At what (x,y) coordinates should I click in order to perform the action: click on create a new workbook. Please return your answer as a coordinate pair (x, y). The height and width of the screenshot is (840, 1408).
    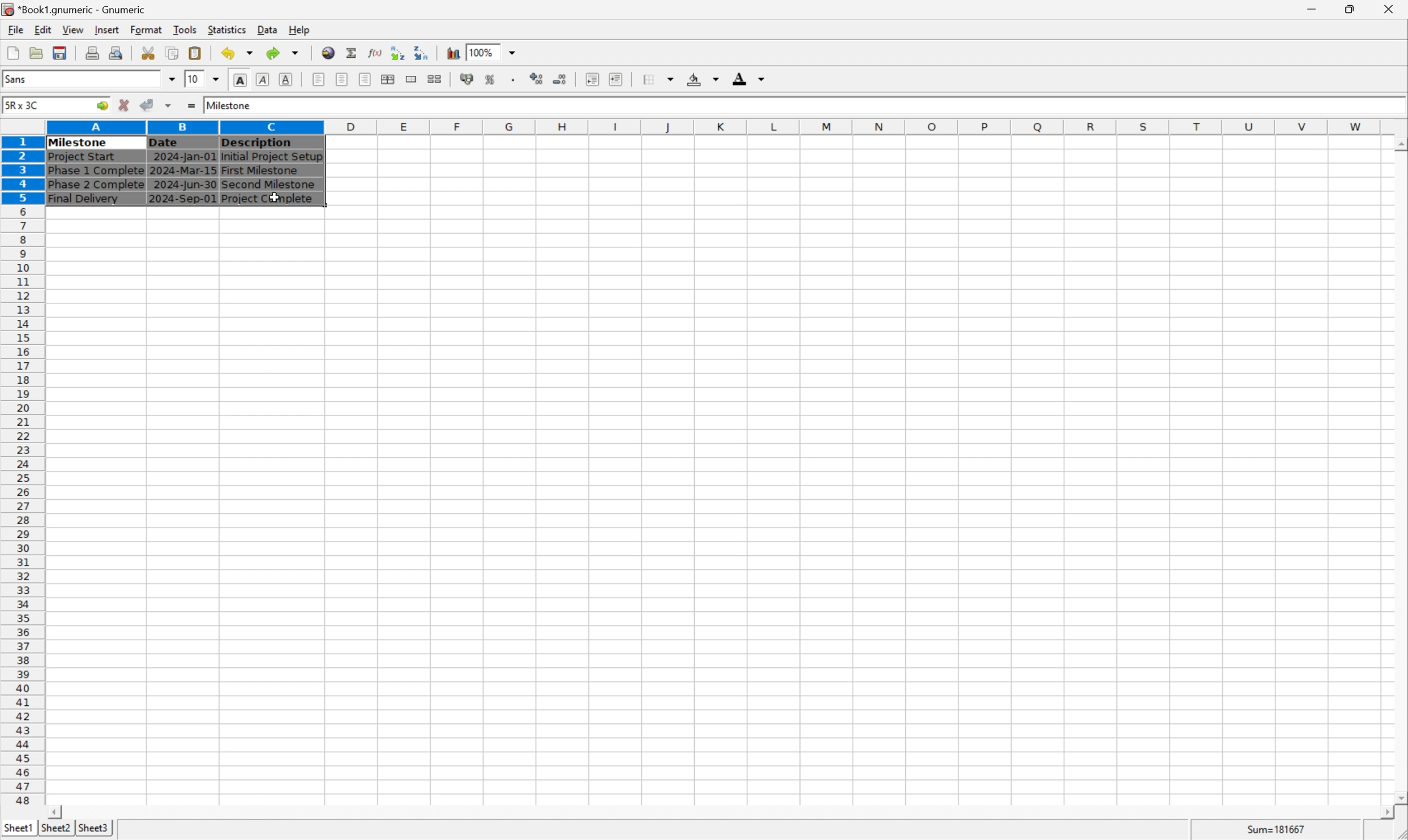
    Looking at the image, I should click on (12, 54).